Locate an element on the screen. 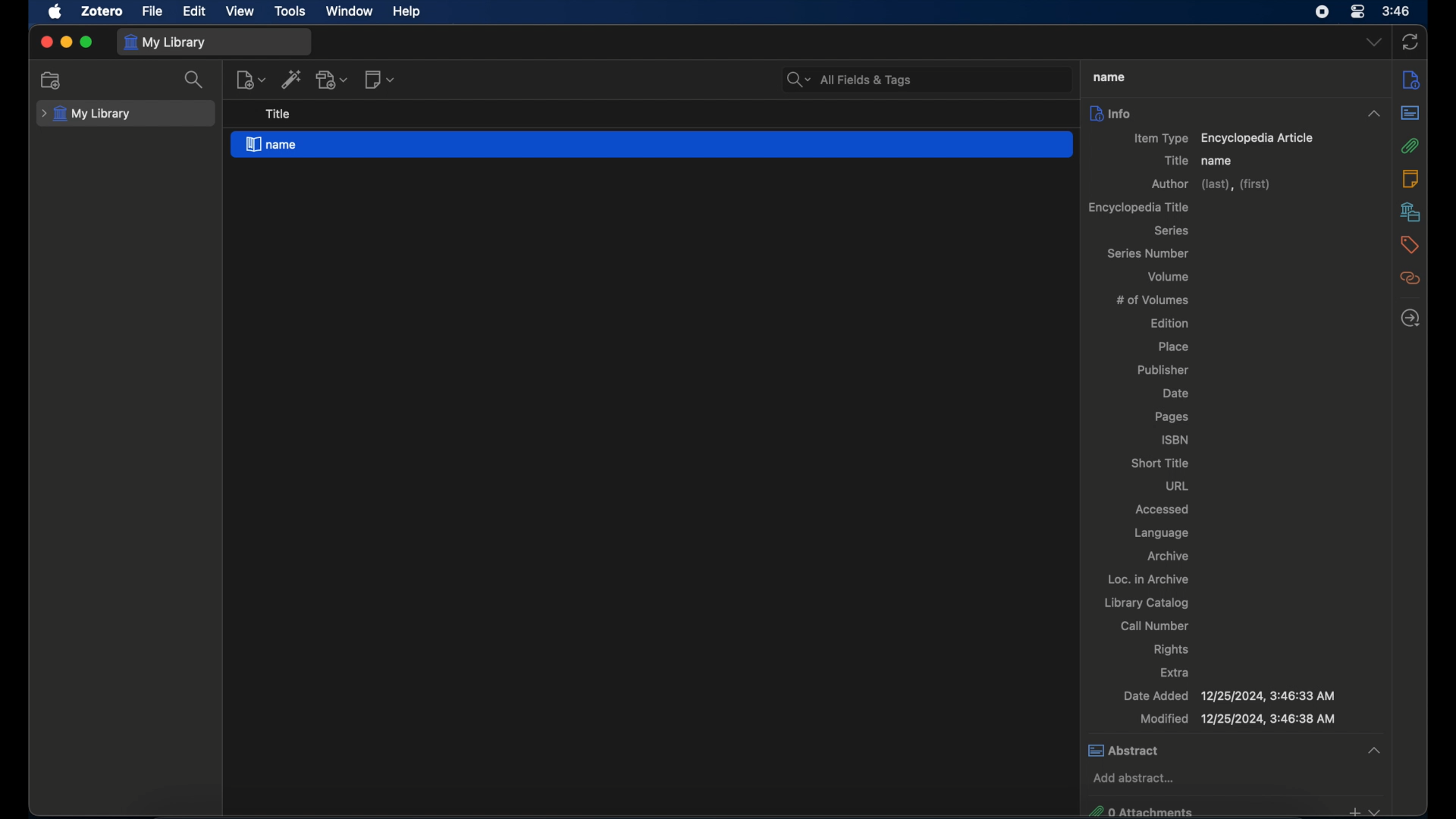 Image resolution: width=1456 pixels, height=819 pixels. date added is located at coordinates (1228, 695).